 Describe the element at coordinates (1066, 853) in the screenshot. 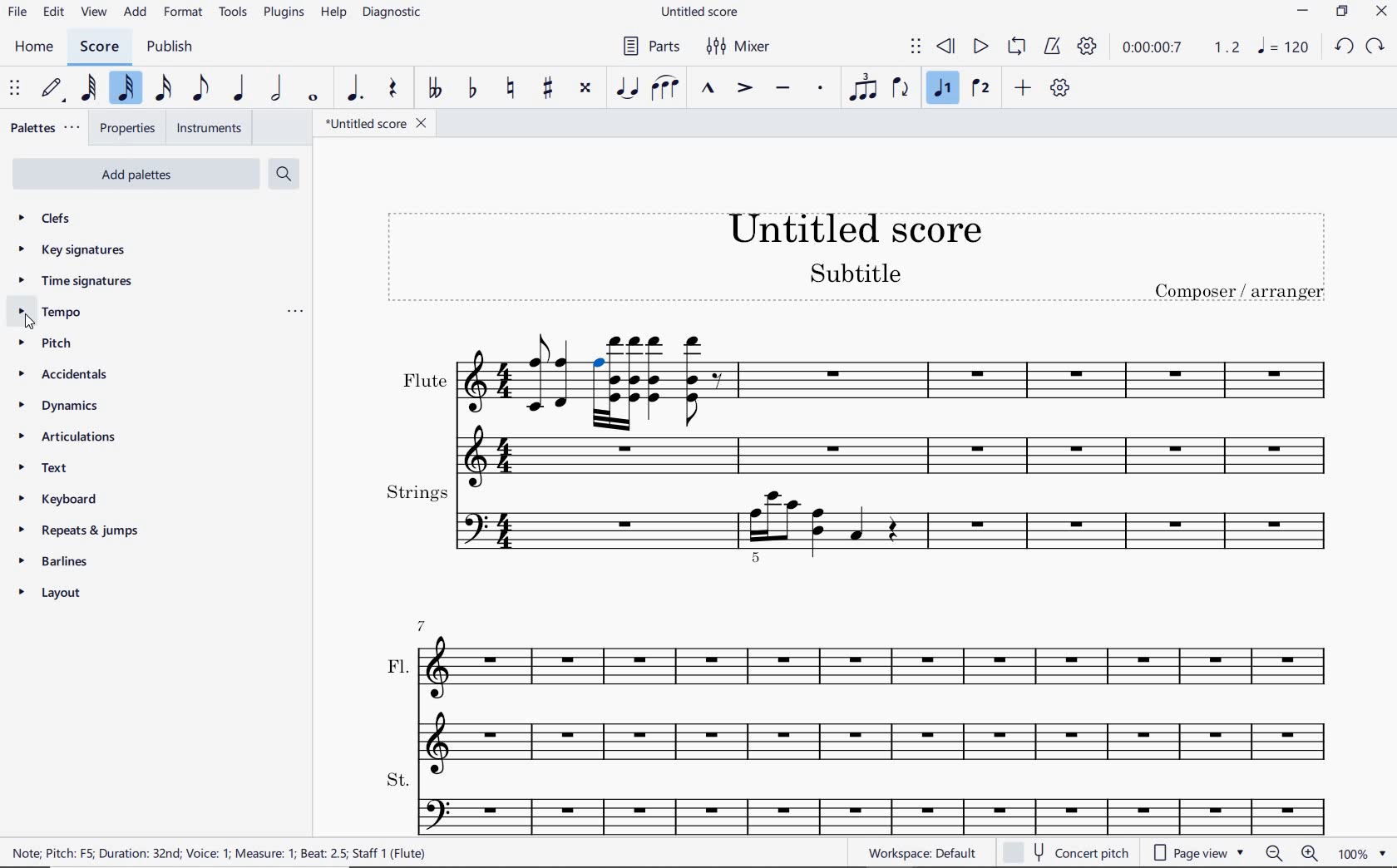

I see `concert pitch` at that location.